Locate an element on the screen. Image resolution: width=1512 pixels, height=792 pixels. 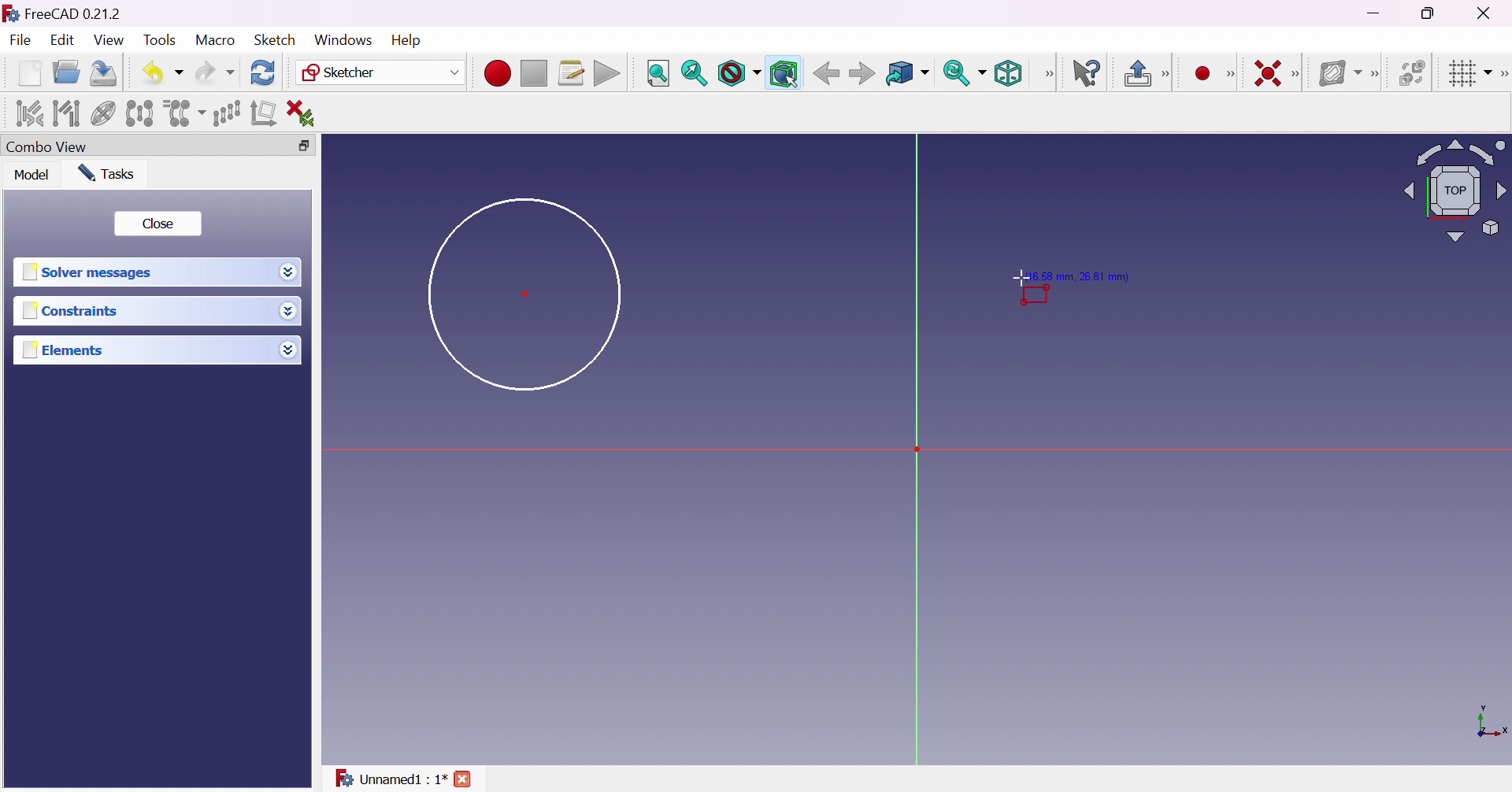
Show/hide B-spline information layer is located at coordinates (1340, 72).